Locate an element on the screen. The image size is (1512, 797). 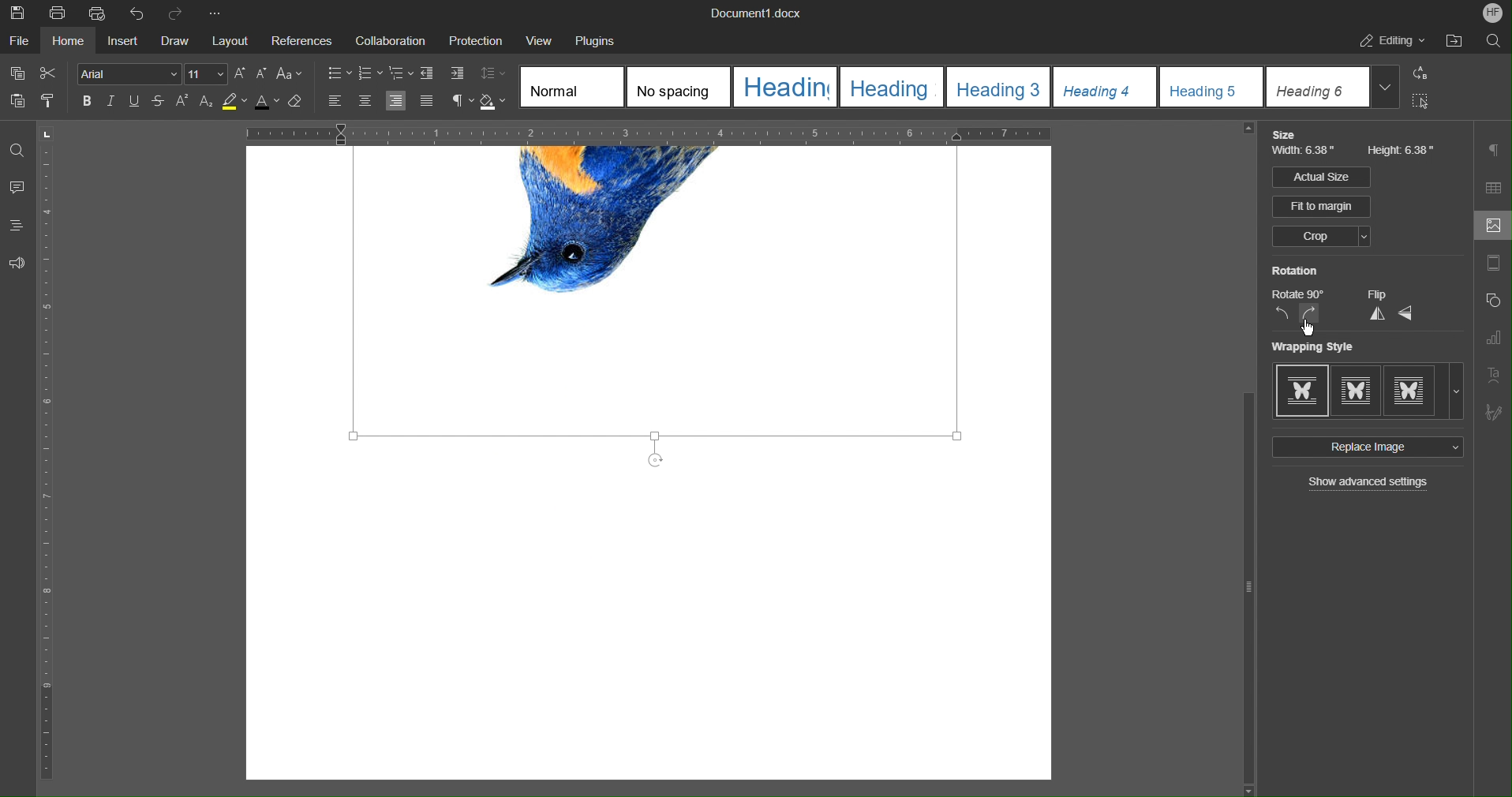
Size is located at coordinates (1284, 133).